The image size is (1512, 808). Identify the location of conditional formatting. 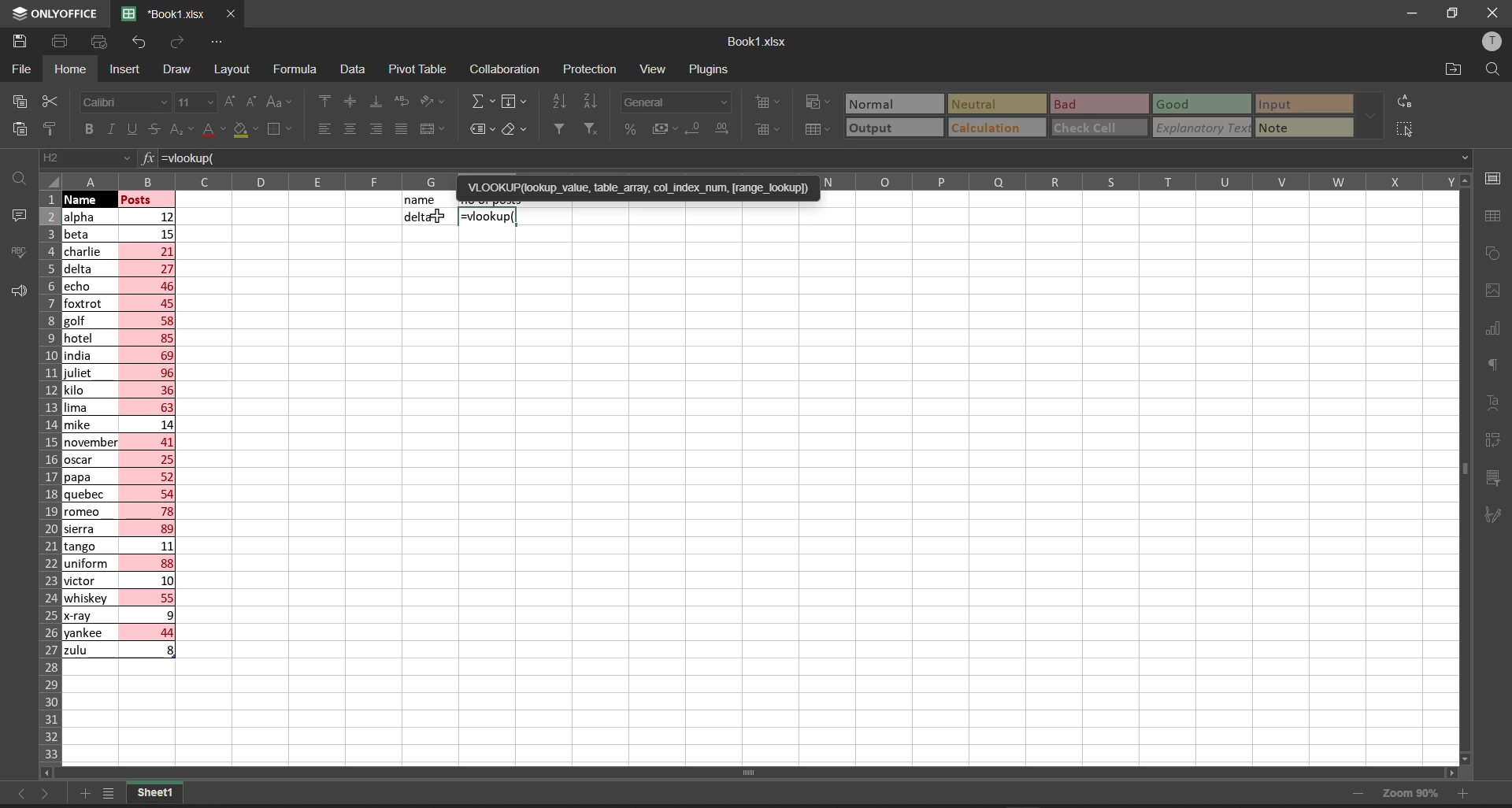
(817, 101).